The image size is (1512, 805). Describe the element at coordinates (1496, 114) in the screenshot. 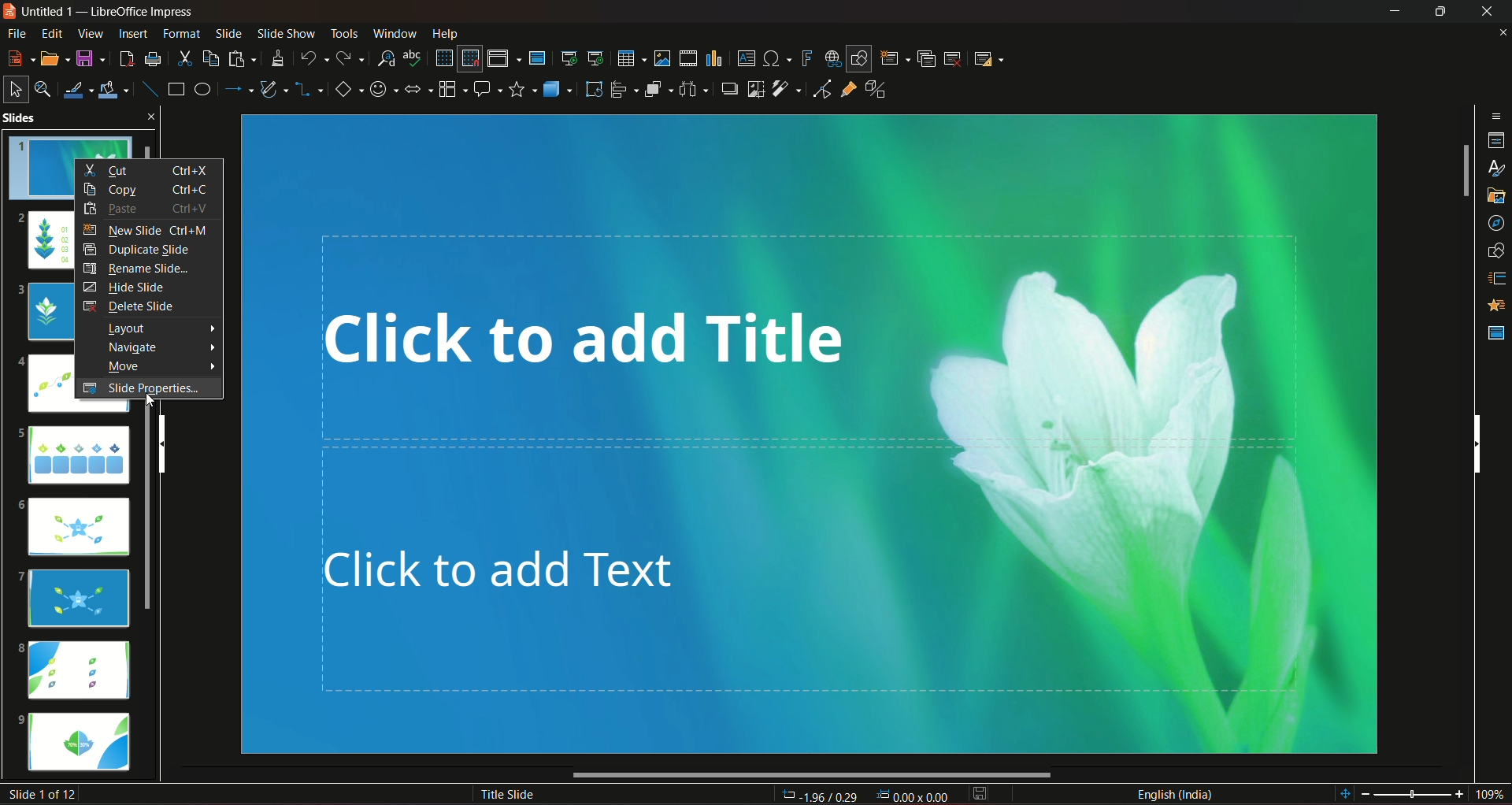

I see `sidebar settings` at that location.